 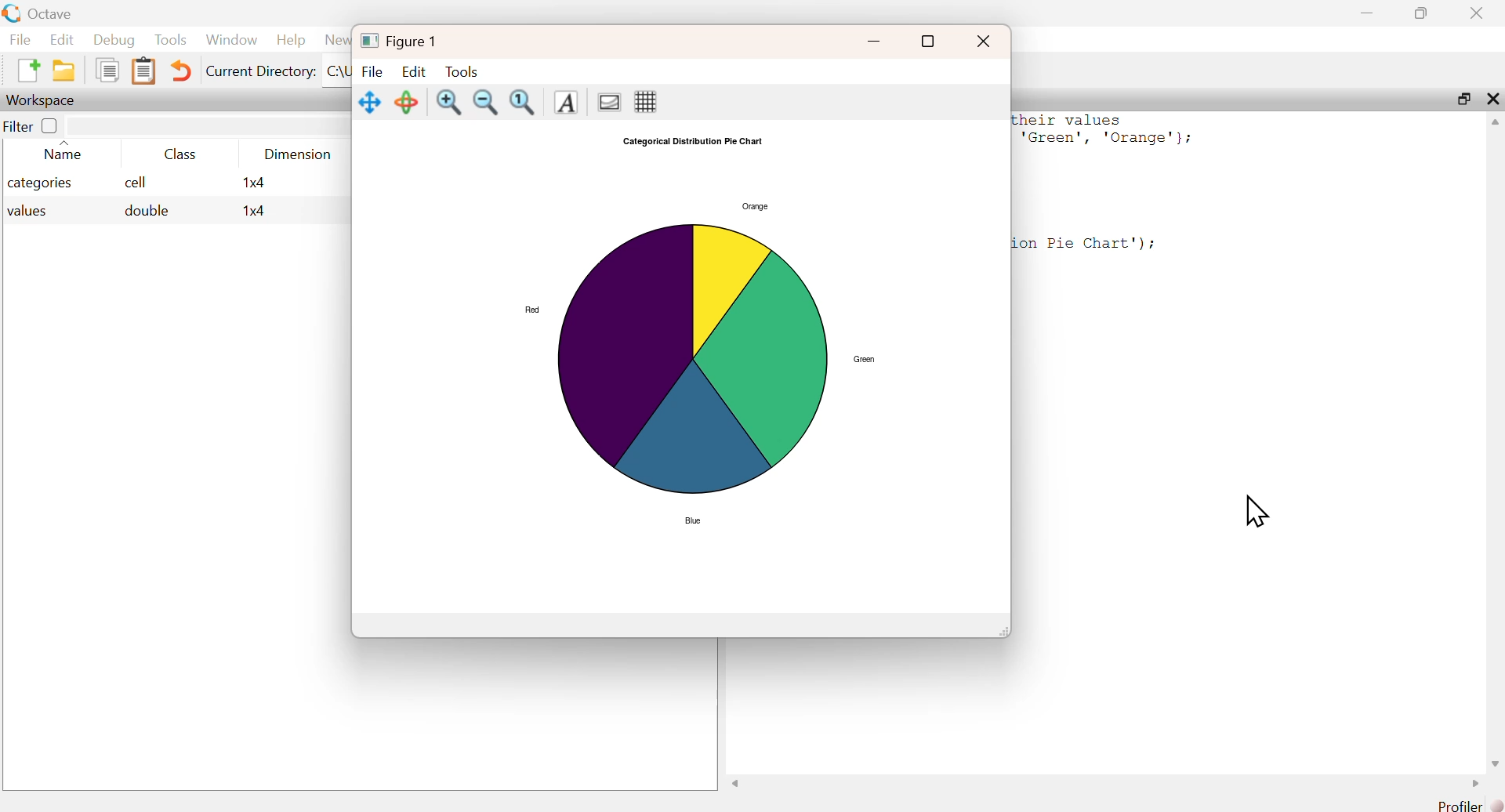 What do you see at coordinates (698, 370) in the screenshot?
I see `Graph` at bounding box center [698, 370].